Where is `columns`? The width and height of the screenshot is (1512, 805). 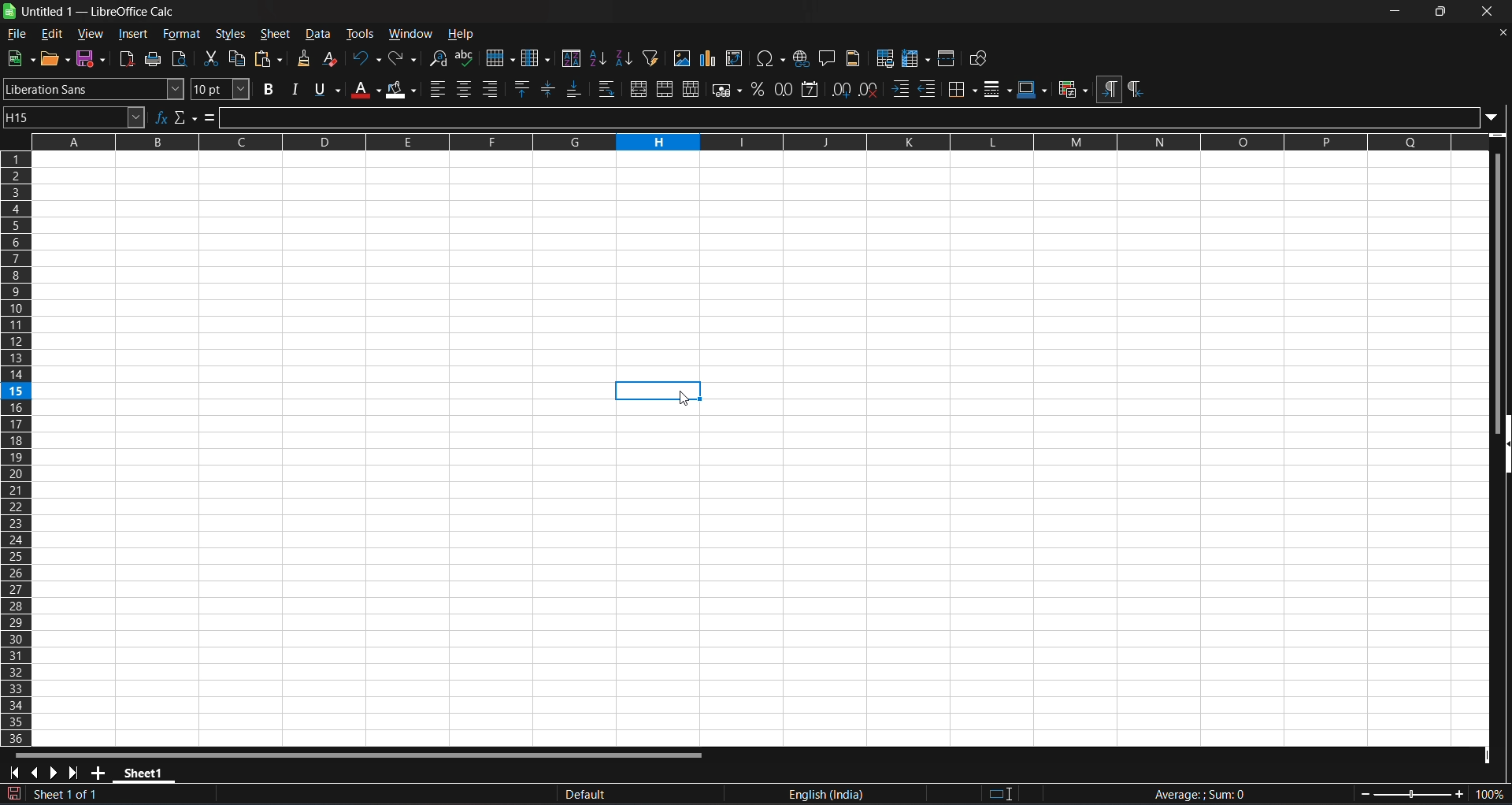 columns is located at coordinates (18, 456).